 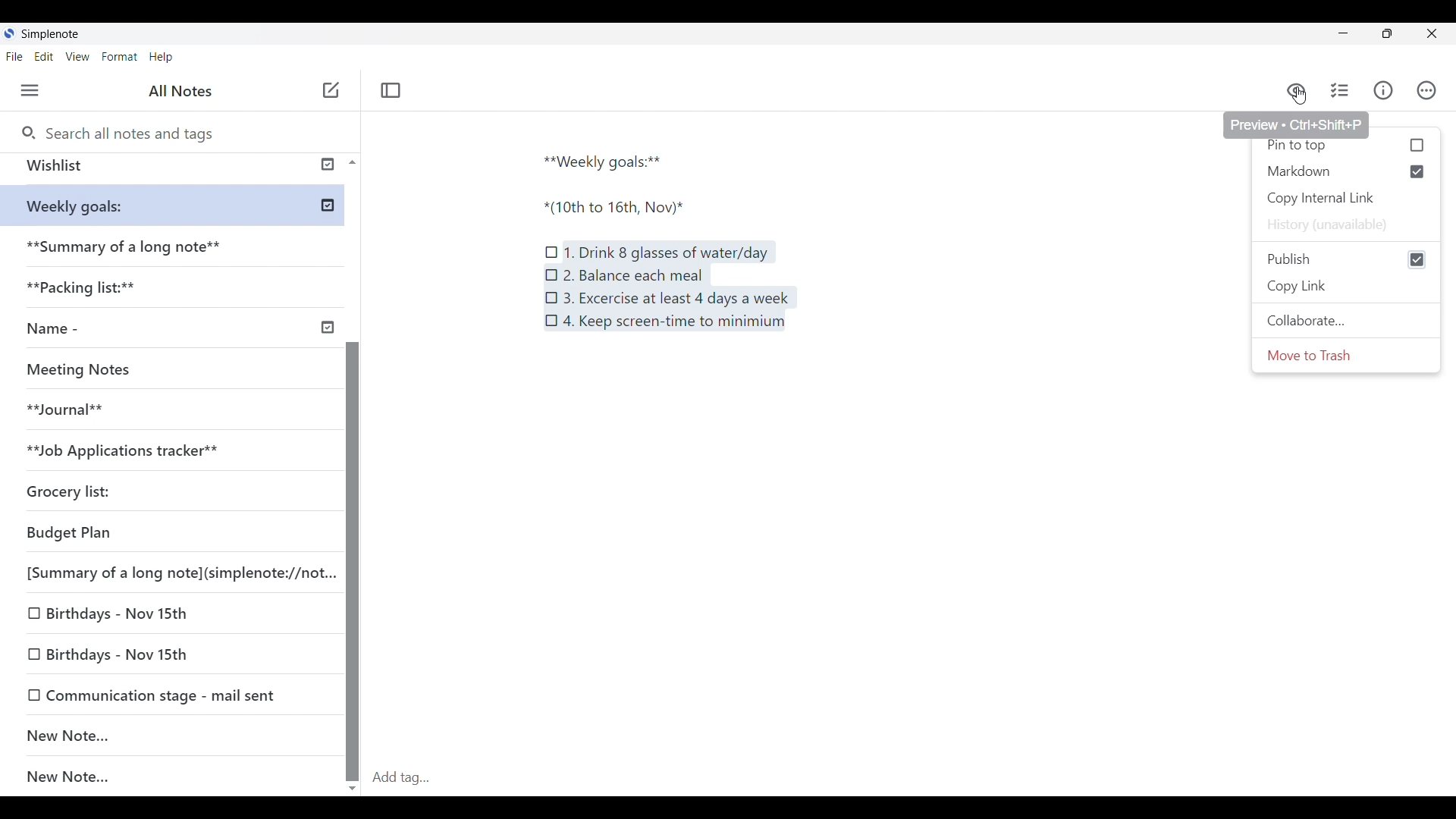 I want to click on Scroll bar, so click(x=352, y=523).